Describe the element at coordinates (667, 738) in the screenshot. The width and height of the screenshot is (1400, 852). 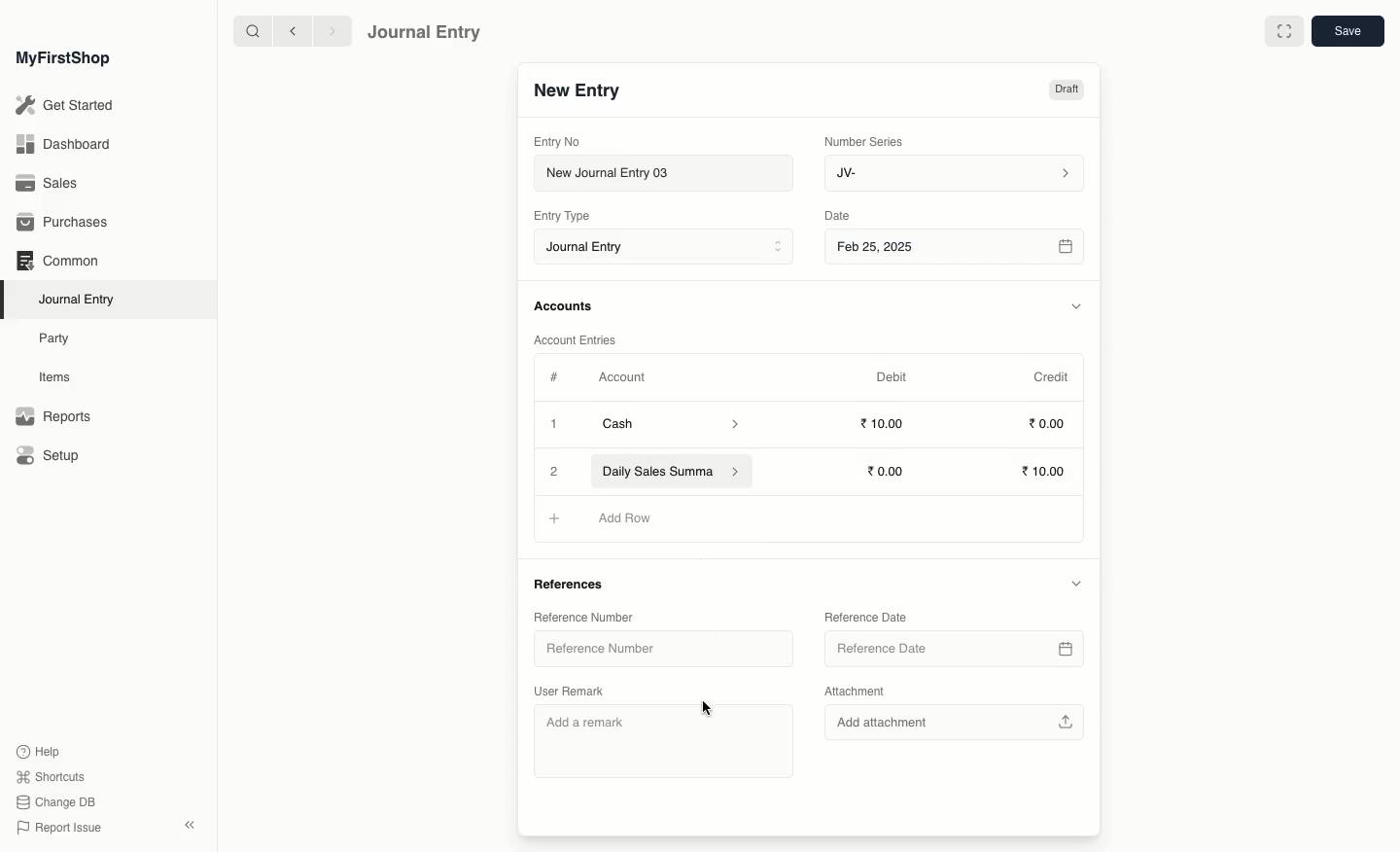
I see `Add a remark` at that location.